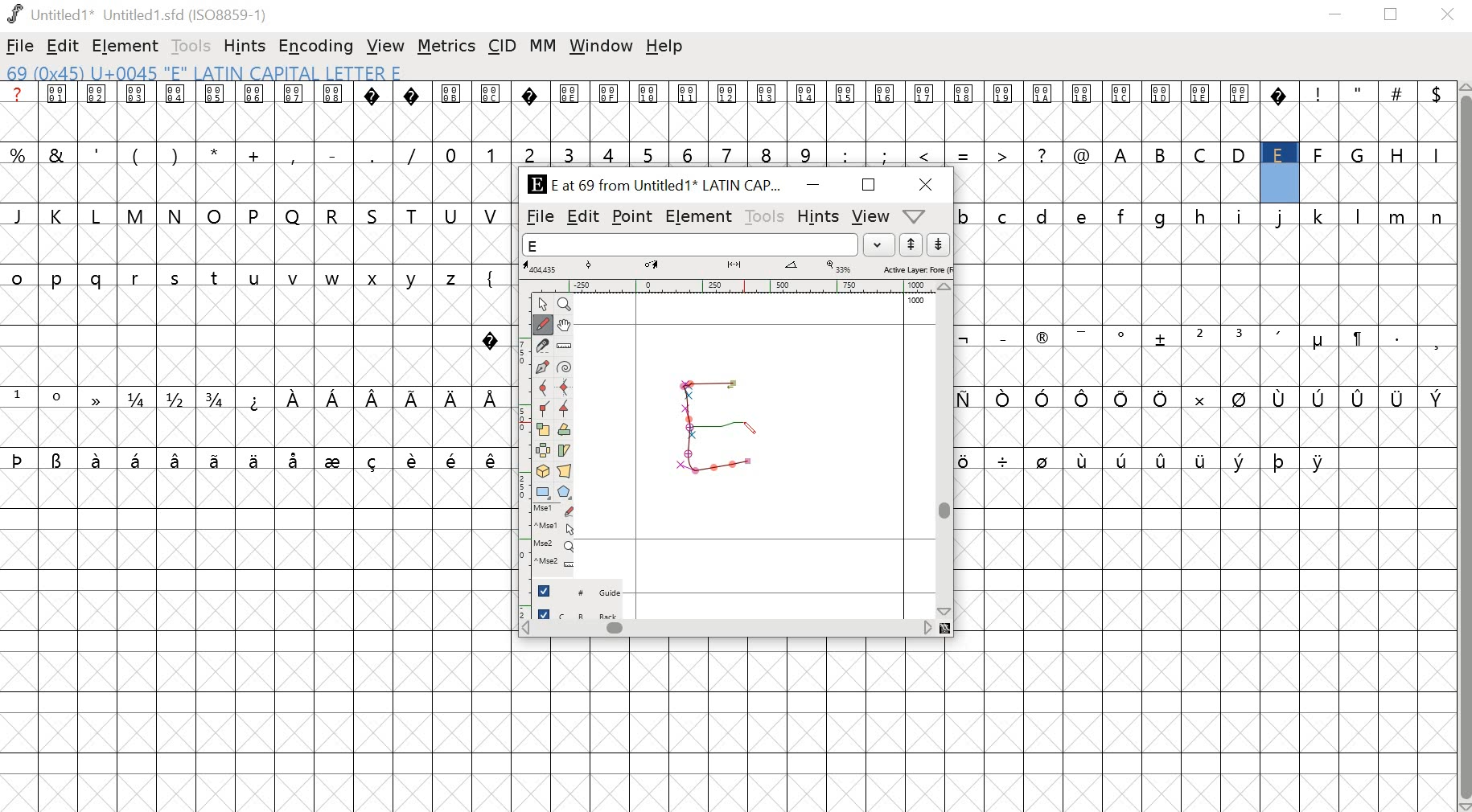 The width and height of the screenshot is (1472, 812). What do you see at coordinates (257, 184) in the screenshot?
I see `empty cells` at bounding box center [257, 184].